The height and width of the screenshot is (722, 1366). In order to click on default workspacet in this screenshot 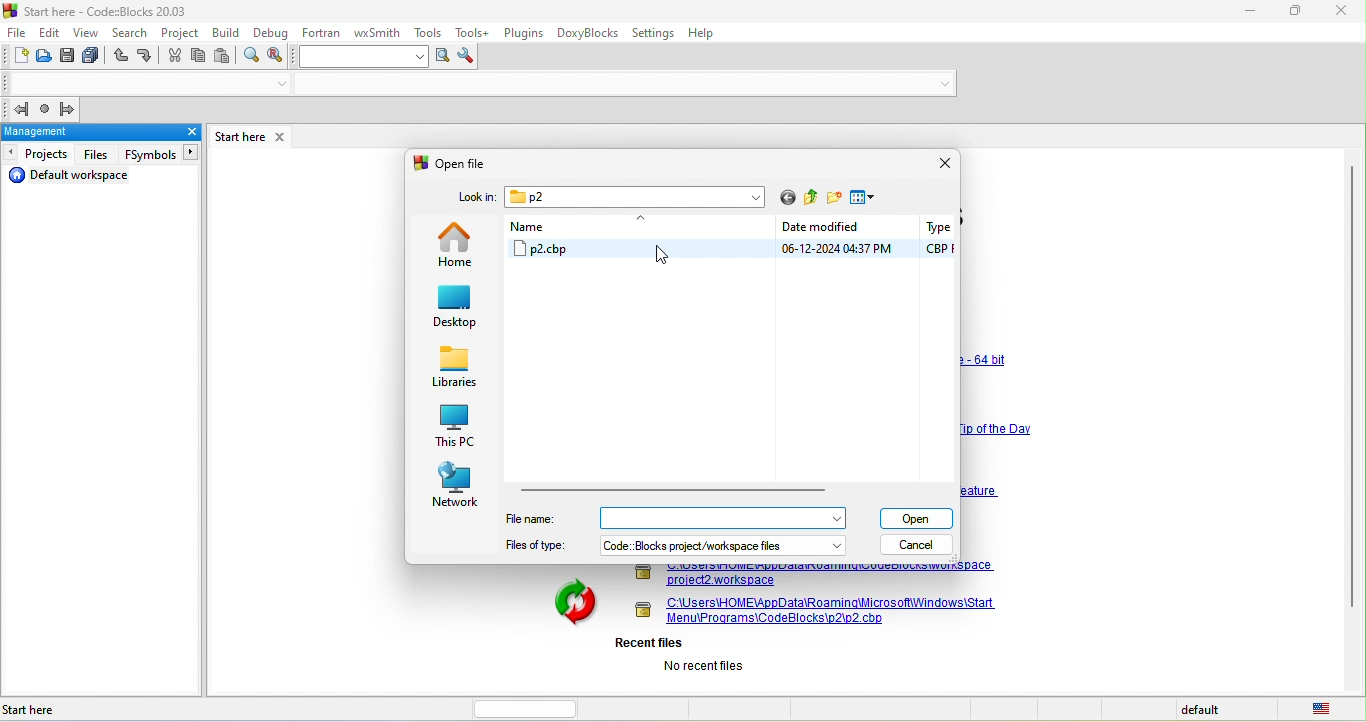, I will do `click(75, 176)`.